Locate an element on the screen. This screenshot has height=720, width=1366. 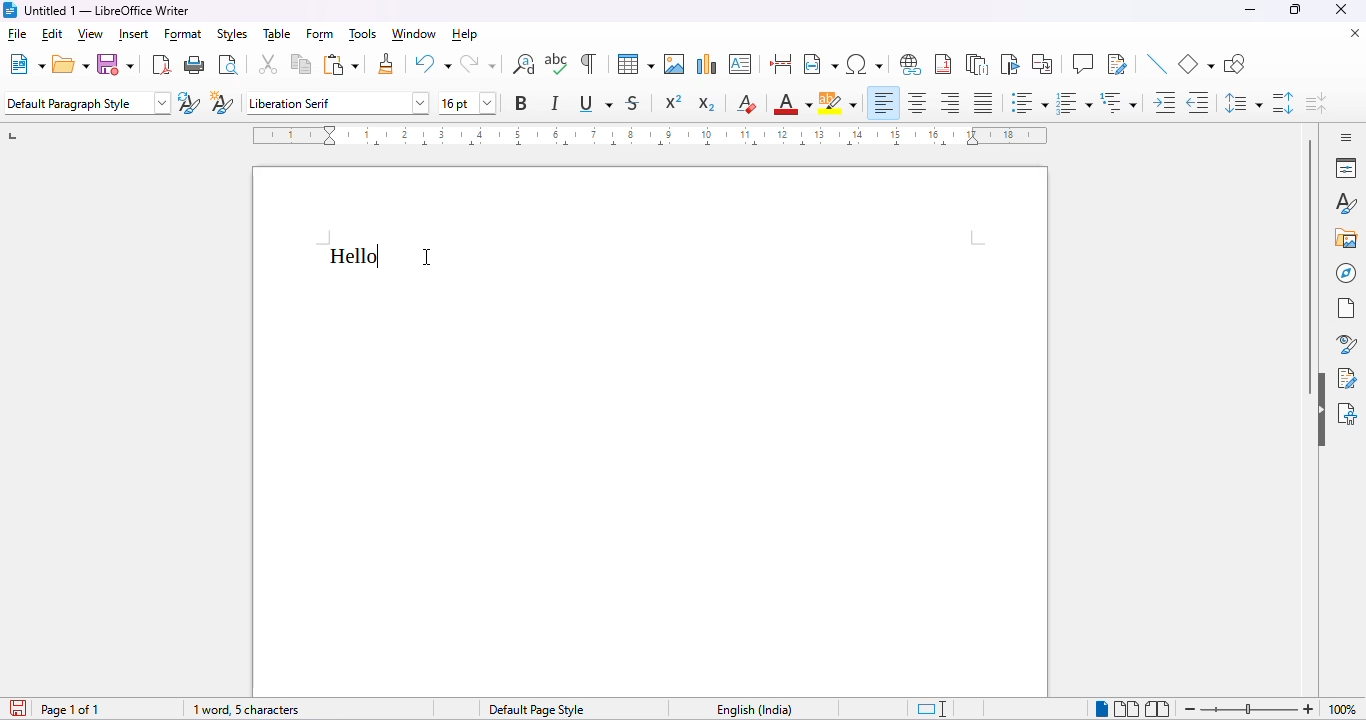
align center is located at coordinates (918, 104).